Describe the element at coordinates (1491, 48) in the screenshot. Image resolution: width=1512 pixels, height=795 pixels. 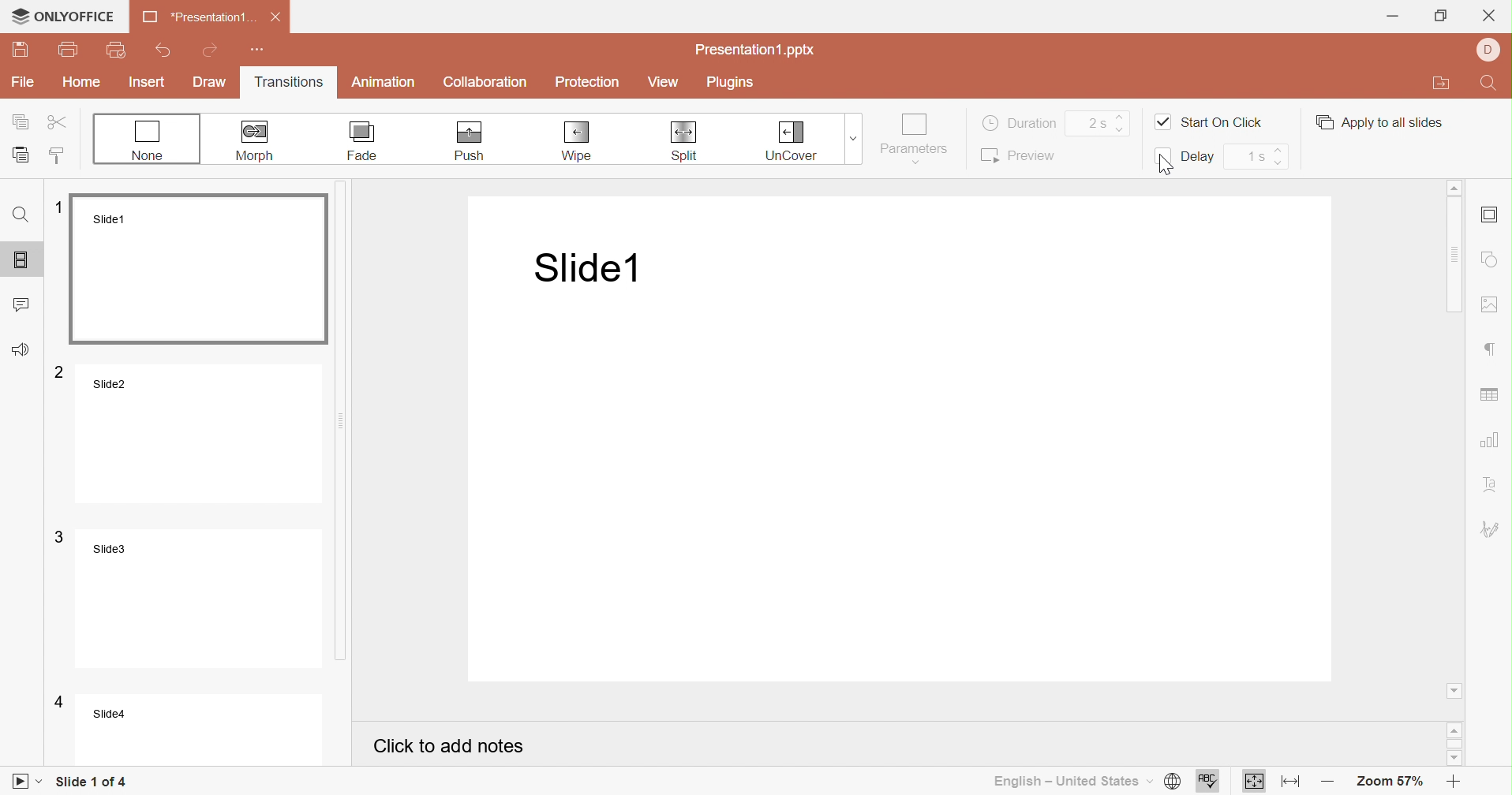
I see `User` at that location.